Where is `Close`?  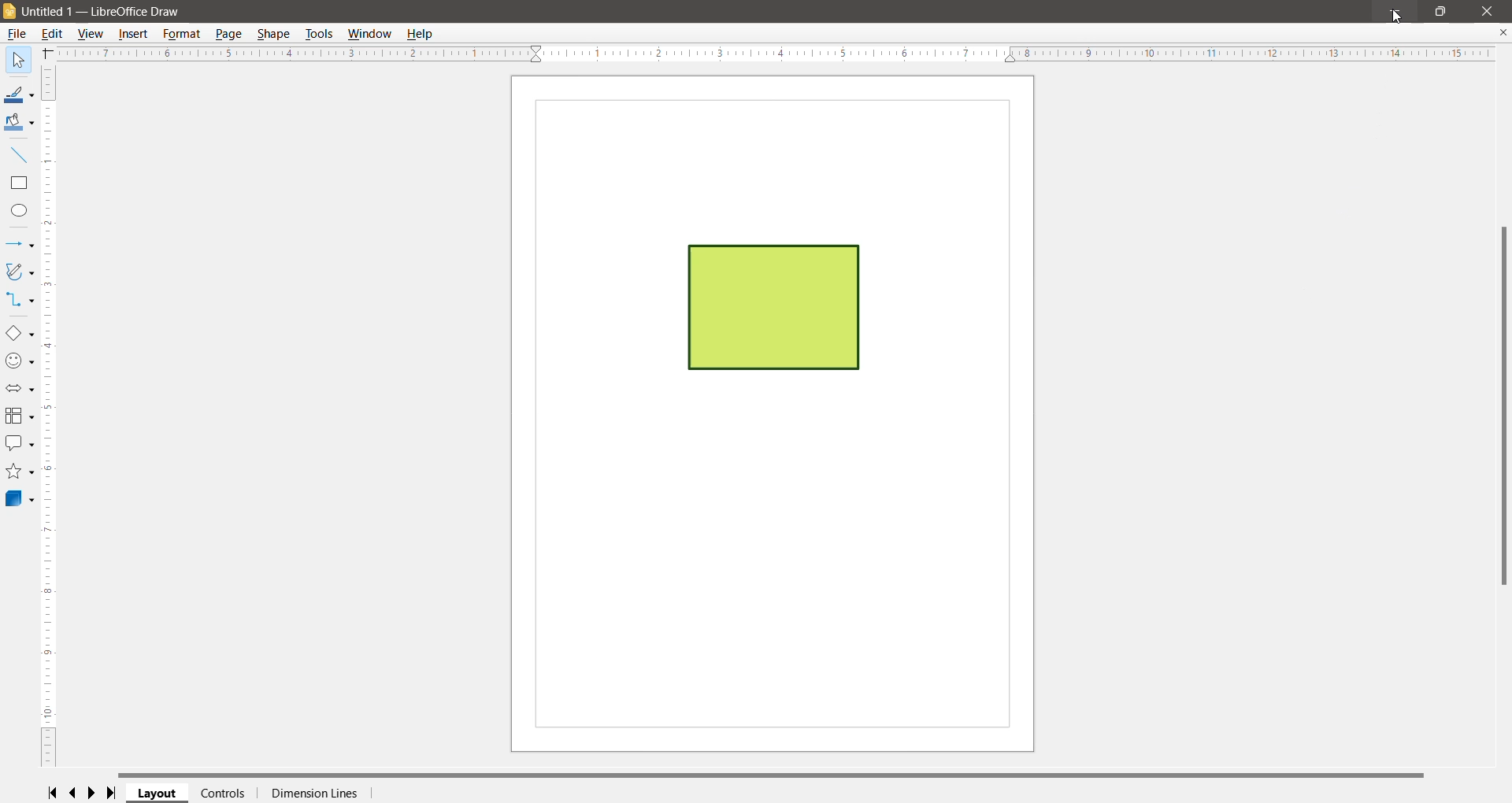
Close is located at coordinates (1489, 10).